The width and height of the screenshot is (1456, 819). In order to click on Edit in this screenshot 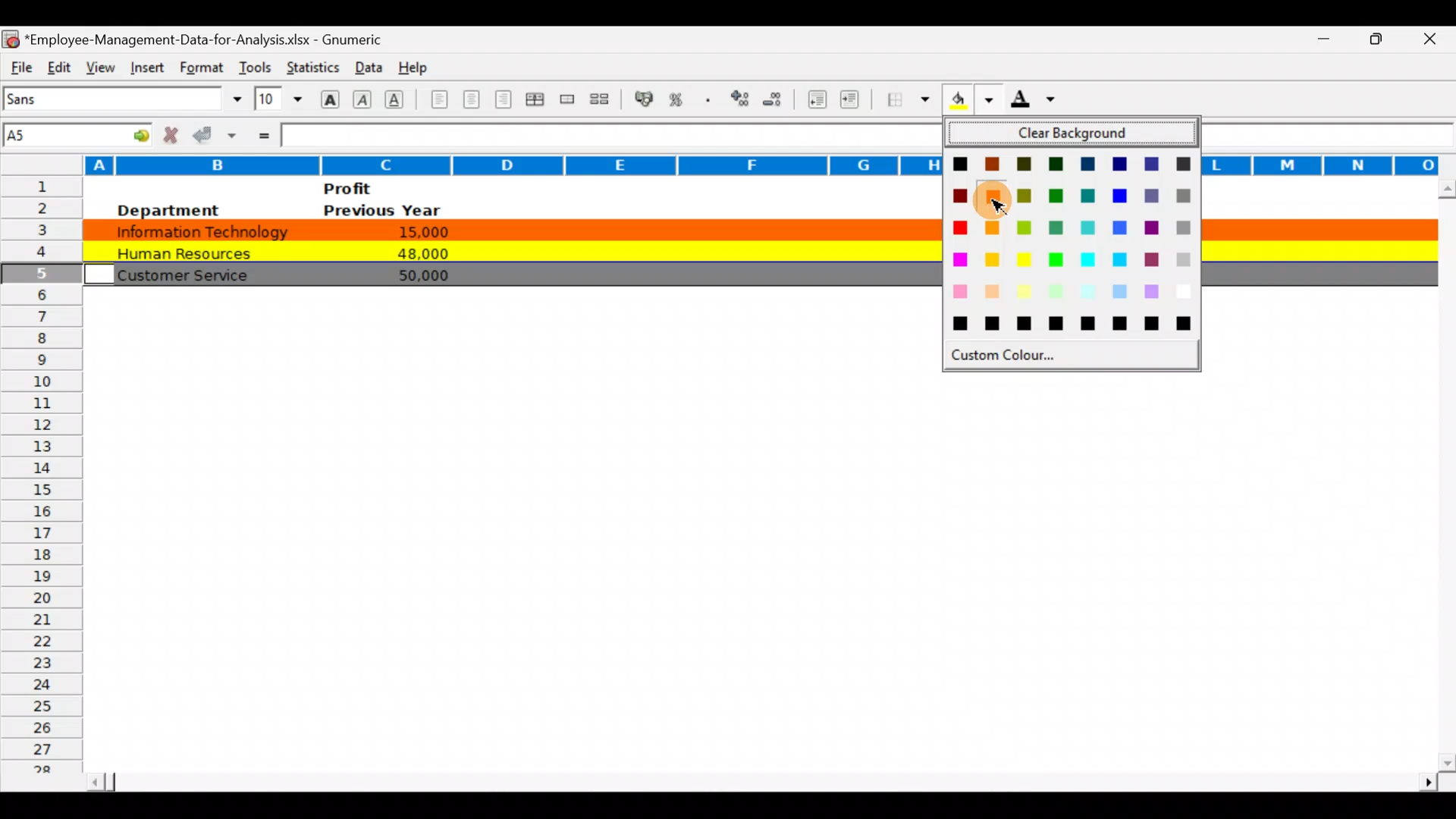, I will do `click(58, 65)`.